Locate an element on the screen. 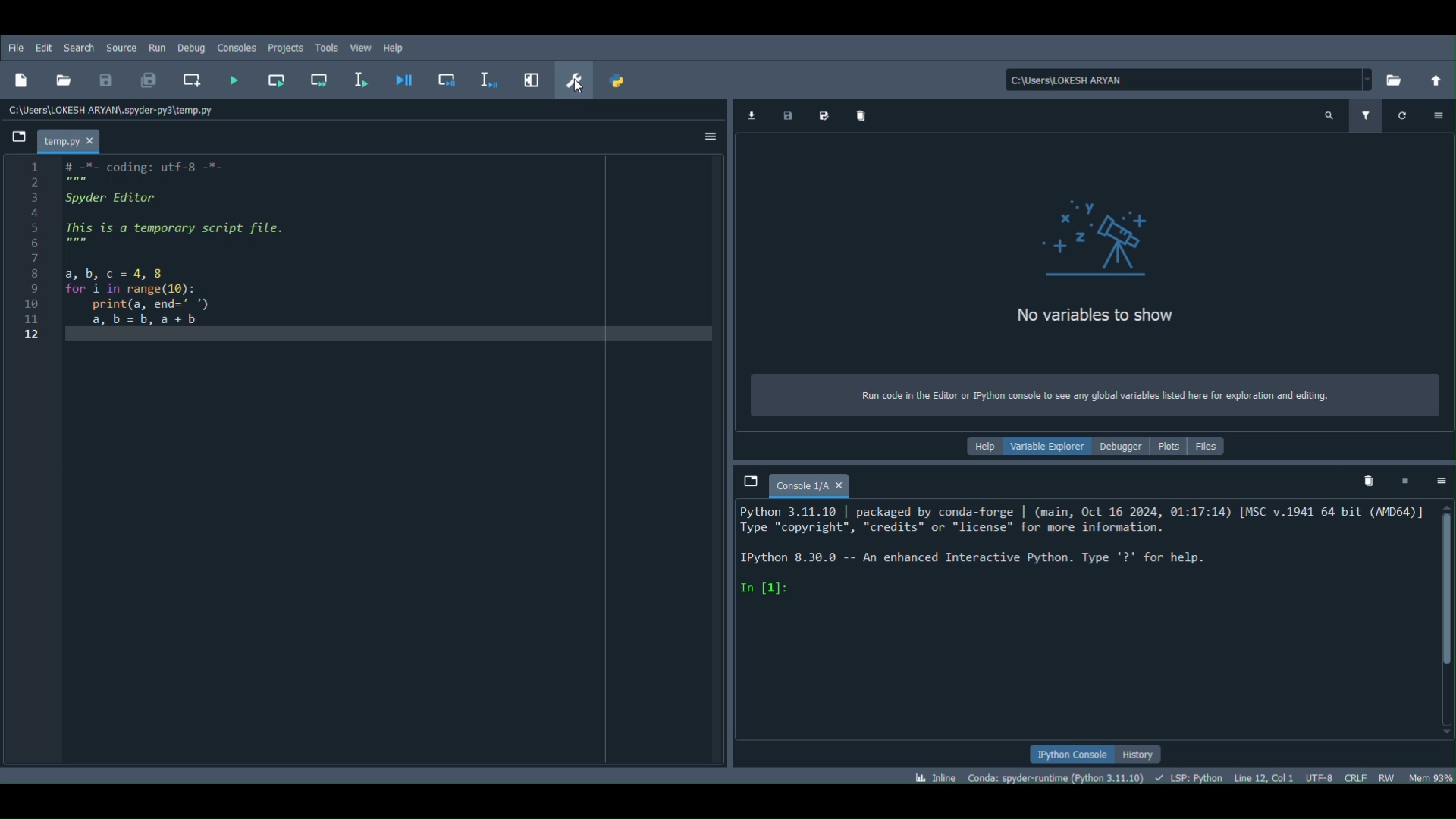 This screenshot has height=819, width=1456. History is located at coordinates (1143, 752).